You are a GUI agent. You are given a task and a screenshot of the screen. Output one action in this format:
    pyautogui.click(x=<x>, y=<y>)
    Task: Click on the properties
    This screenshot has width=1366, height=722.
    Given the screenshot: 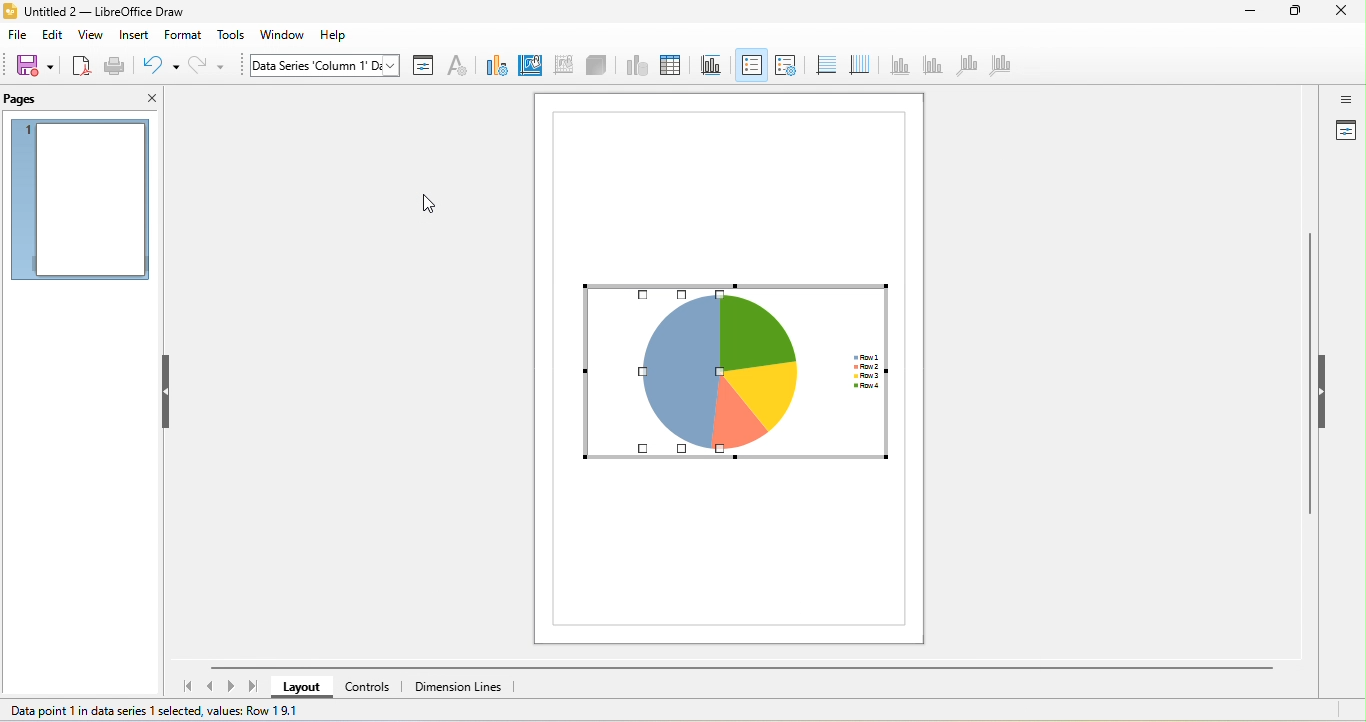 What is the action you would take?
    pyautogui.click(x=1345, y=132)
    